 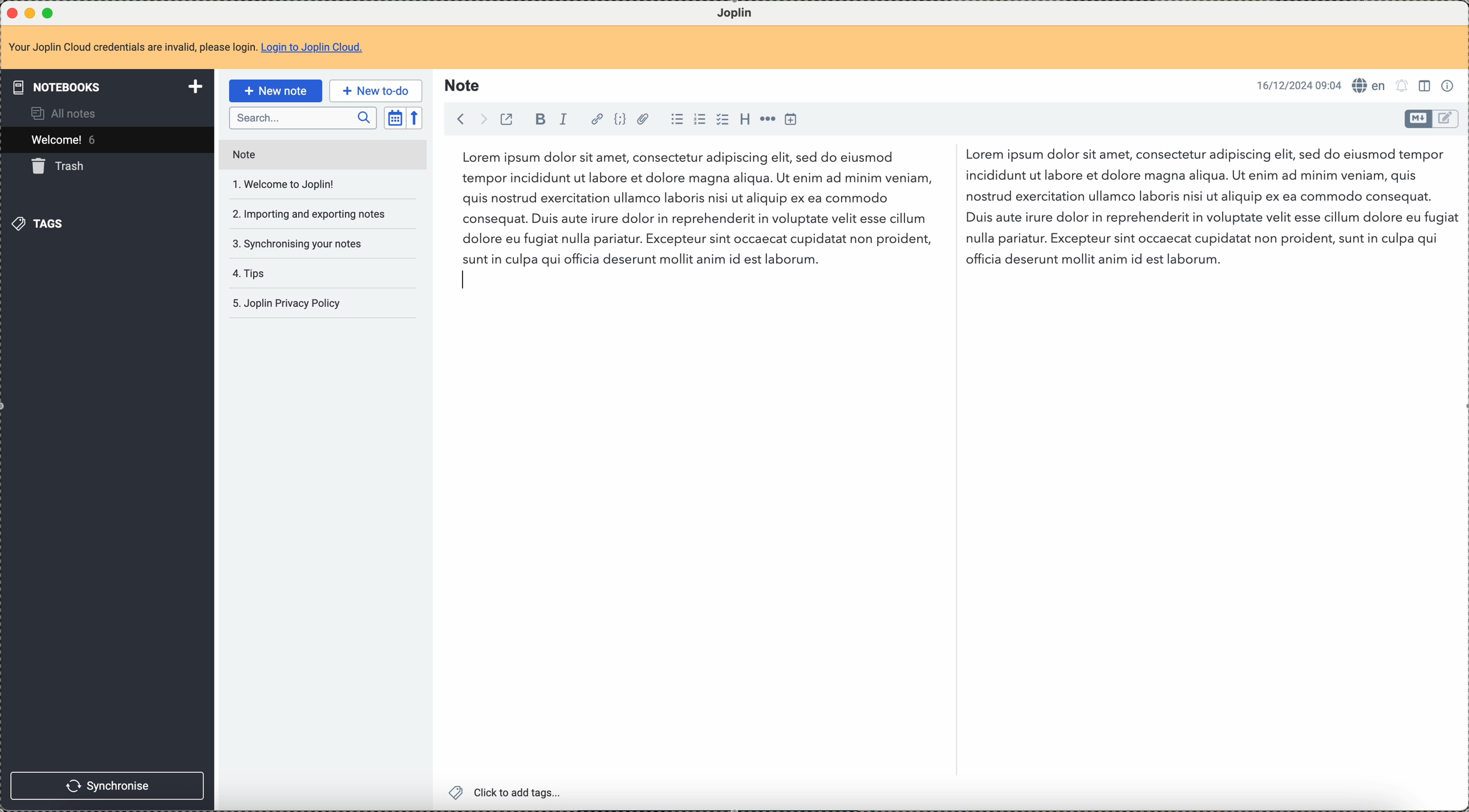 I want to click on minimize, so click(x=30, y=11).